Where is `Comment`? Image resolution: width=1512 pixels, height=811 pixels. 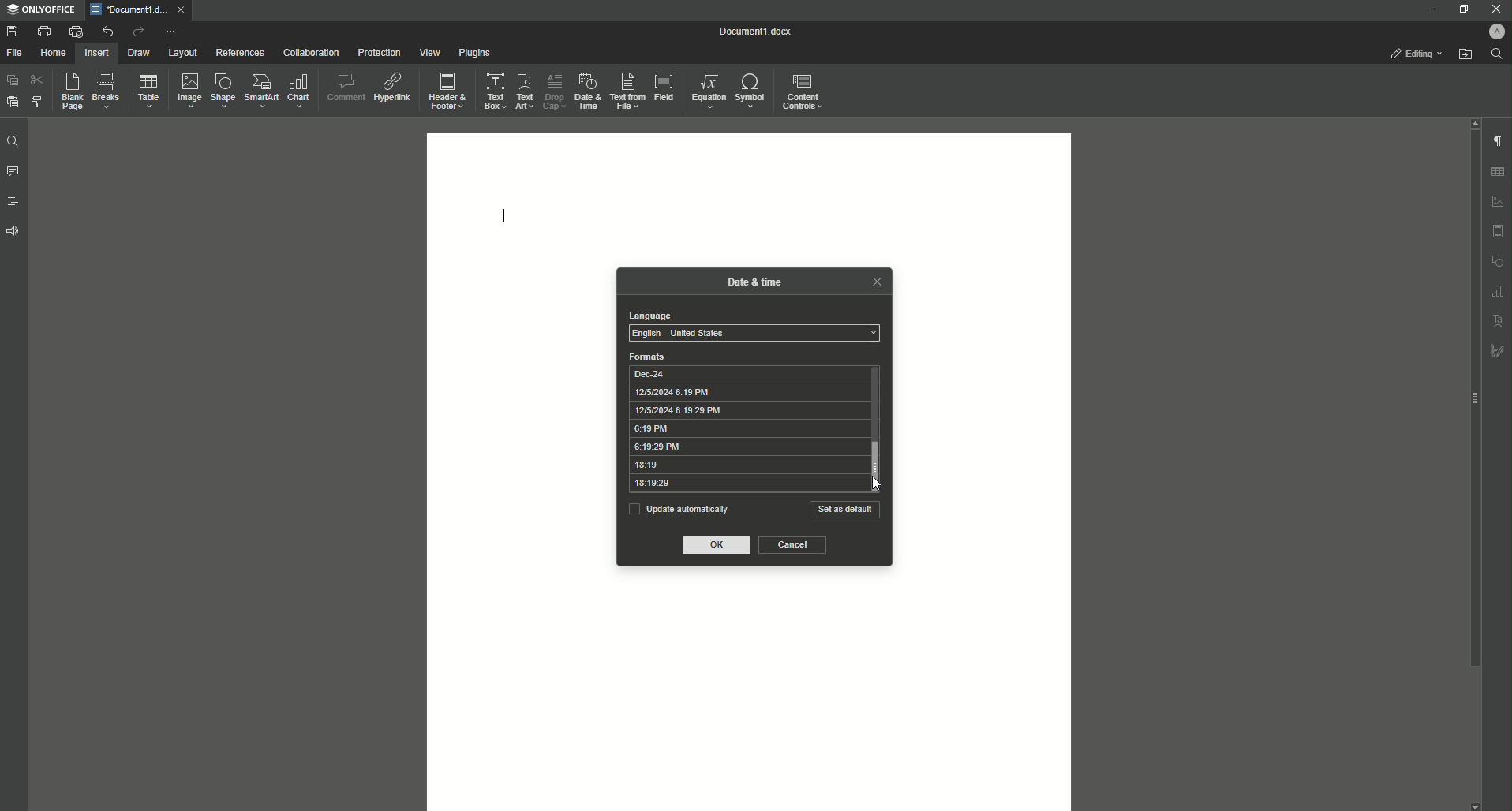 Comment is located at coordinates (344, 85).